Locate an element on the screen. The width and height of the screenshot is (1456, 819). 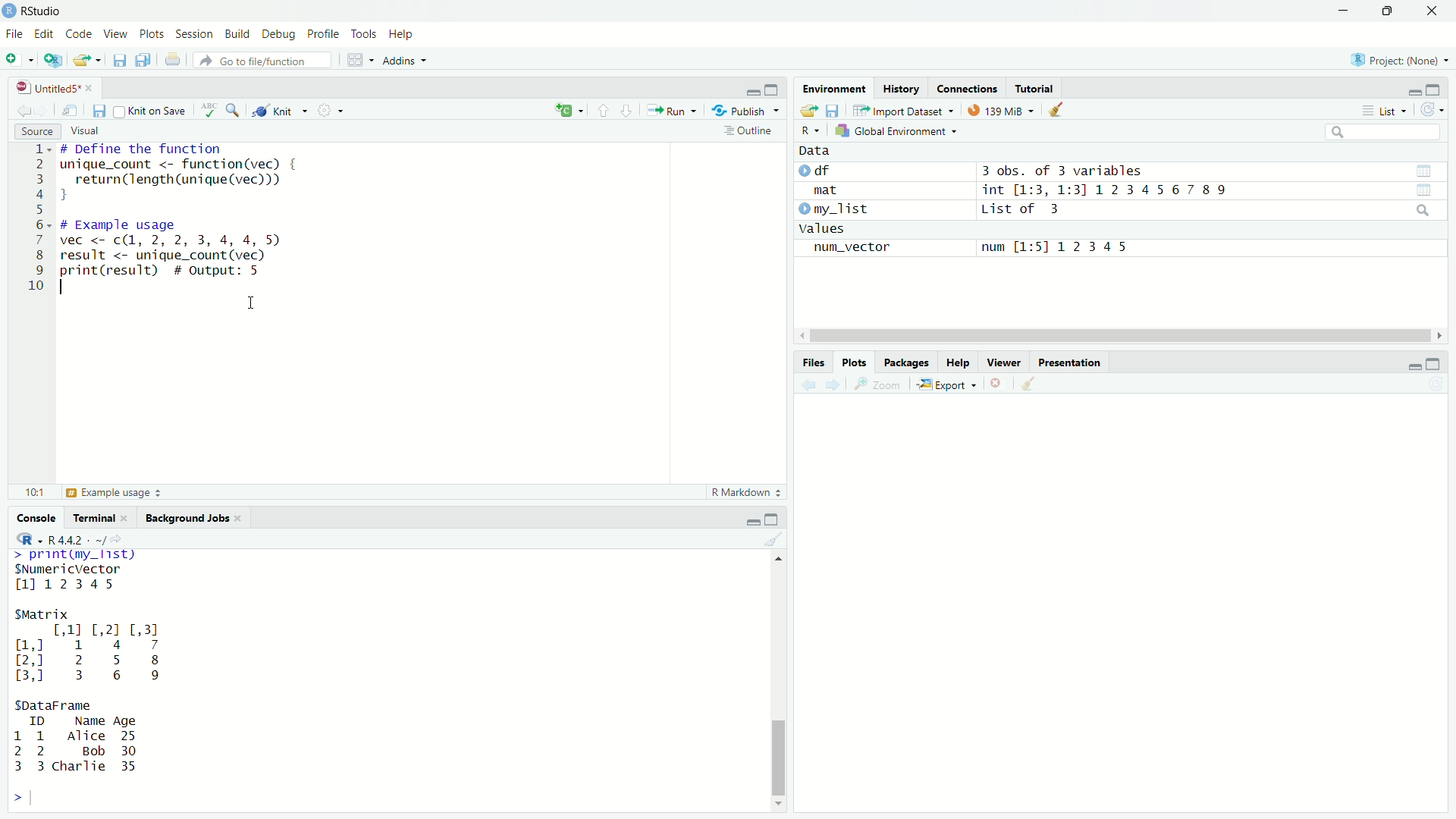
save is located at coordinates (834, 110).